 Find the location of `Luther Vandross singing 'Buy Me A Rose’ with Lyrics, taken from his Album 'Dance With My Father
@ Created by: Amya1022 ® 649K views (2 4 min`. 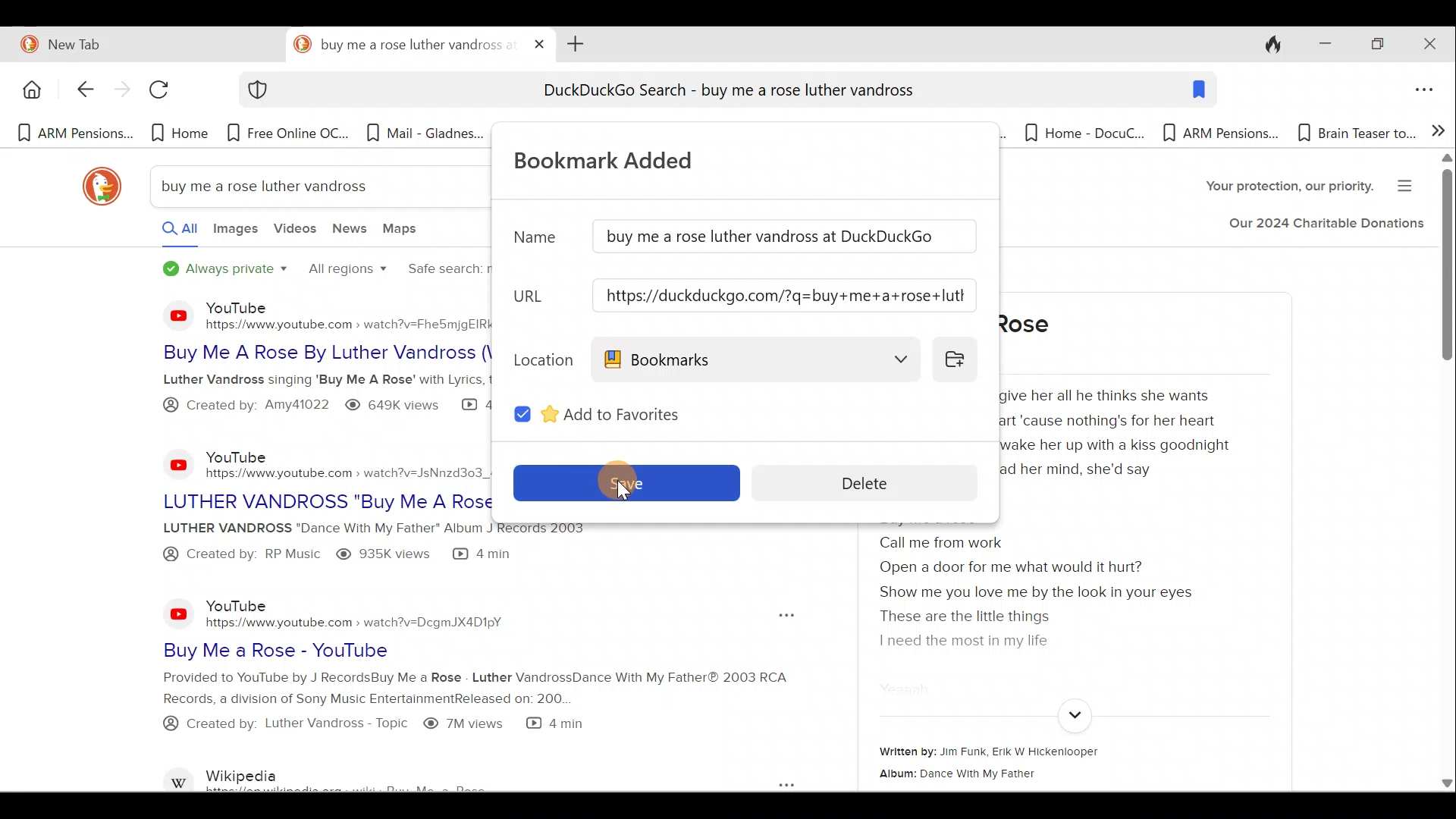

Luther Vandross singing 'Buy Me A Rose’ with Lyrics, taken from his Album 'Dance With My Father
@ Created by: Amya1022 ® 649K views (2 4 min is located at coordinates (309, 397).